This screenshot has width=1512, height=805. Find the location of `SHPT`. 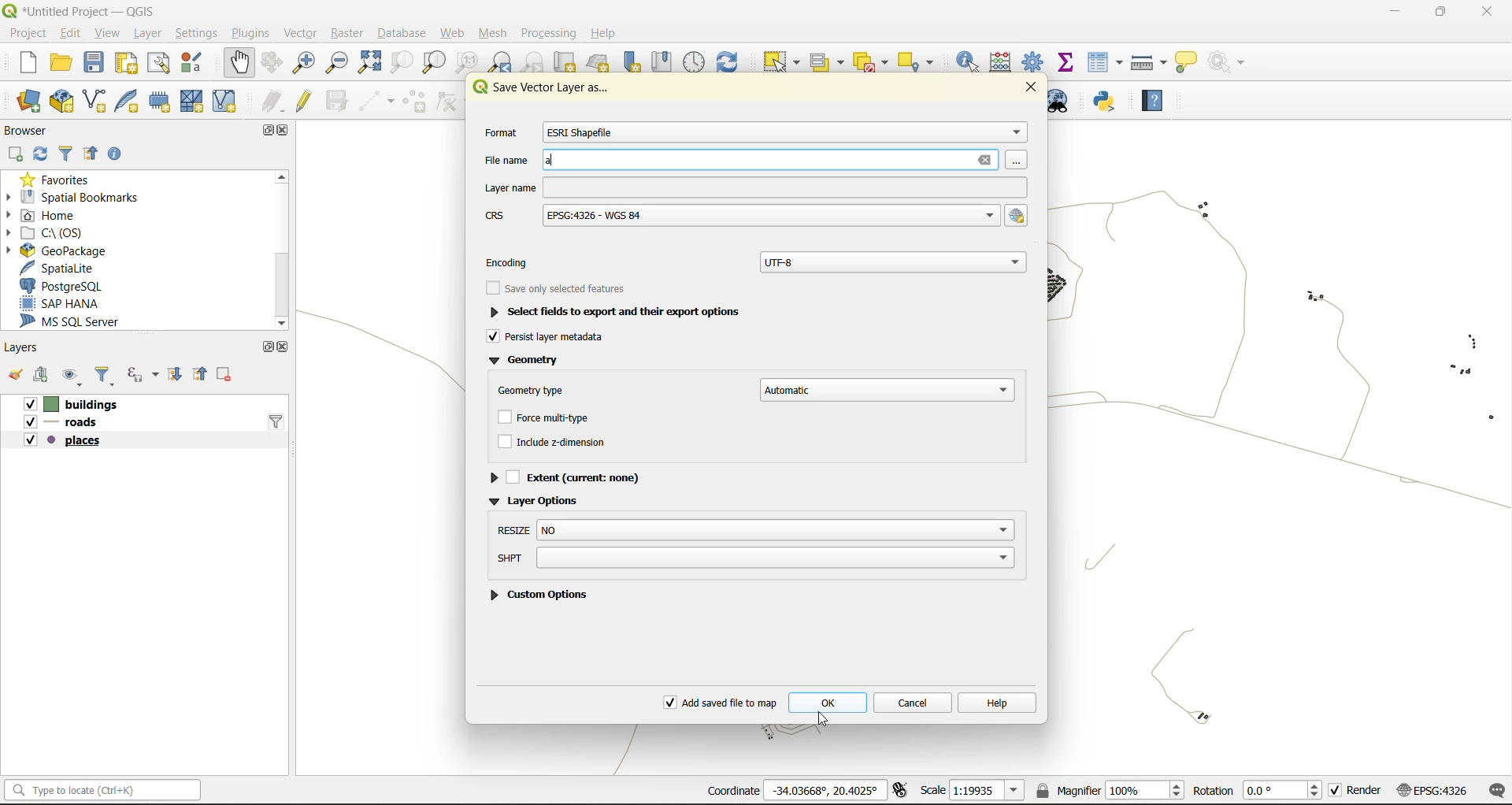

SHPT is located at coordinates (754, 558).